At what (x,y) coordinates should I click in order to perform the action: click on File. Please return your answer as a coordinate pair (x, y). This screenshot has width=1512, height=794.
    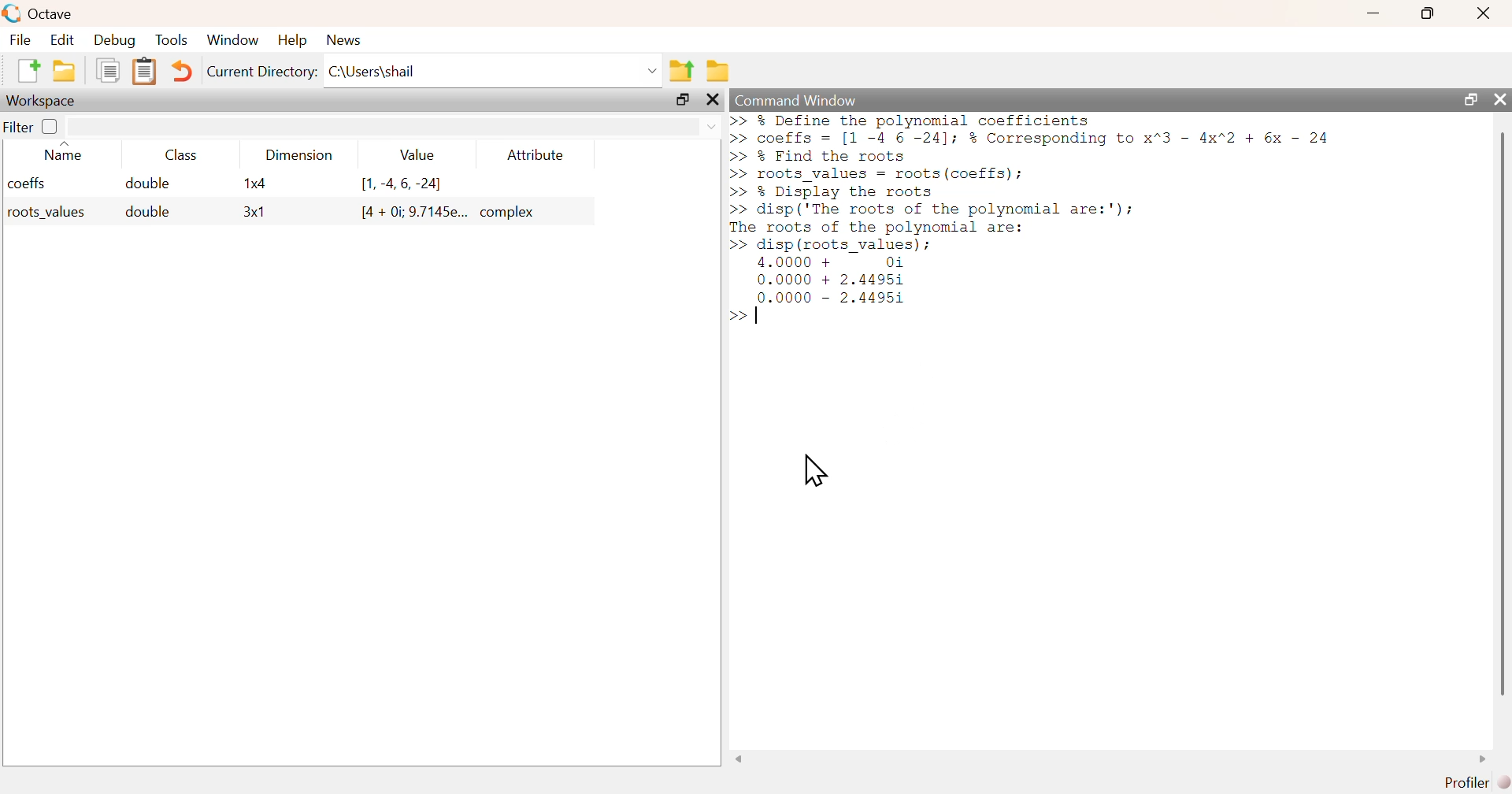
    Looking at the image, I should click on (19, 39).